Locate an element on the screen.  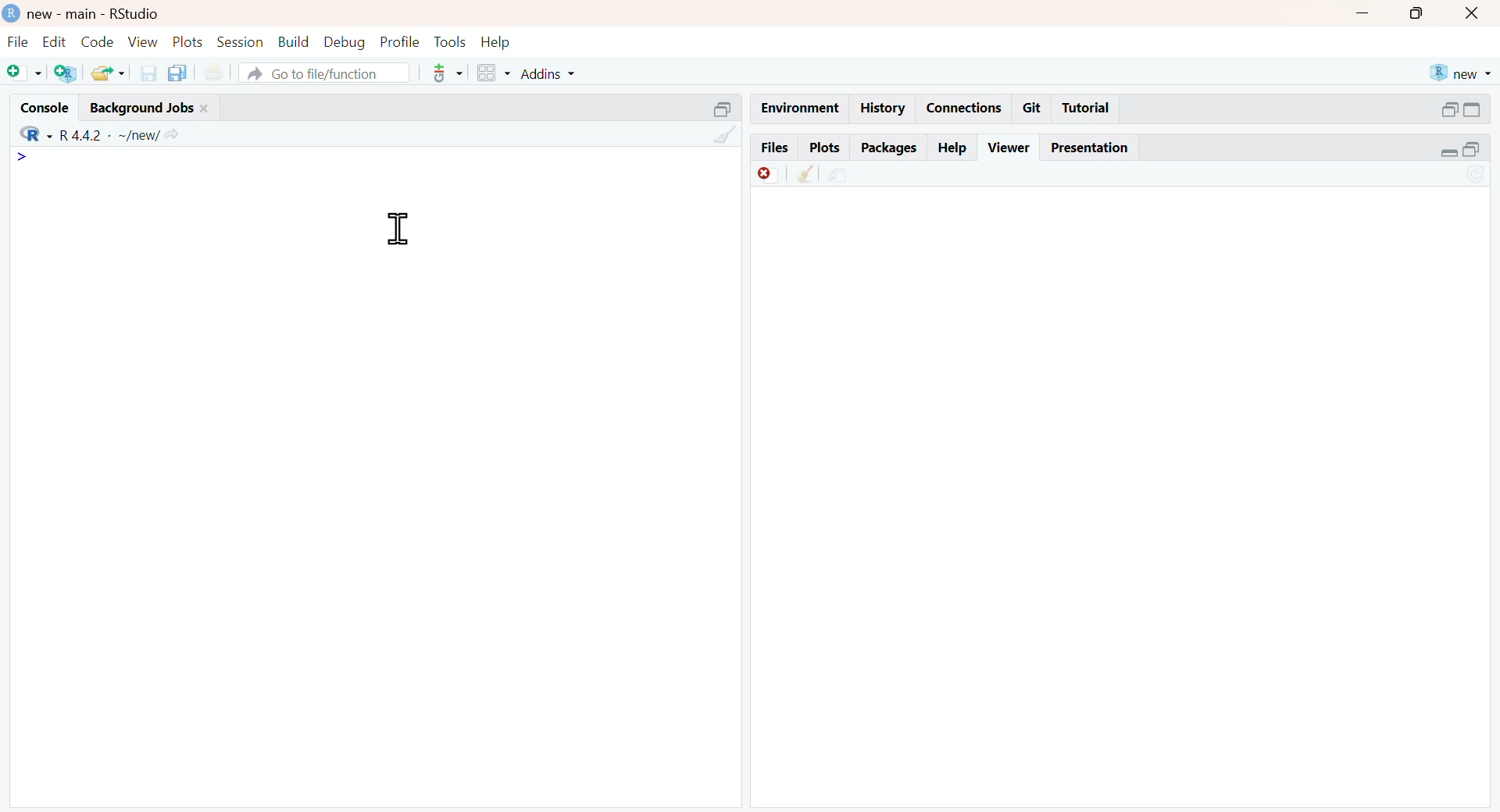
minimize/maximize is located at coordinates (1460, 150).